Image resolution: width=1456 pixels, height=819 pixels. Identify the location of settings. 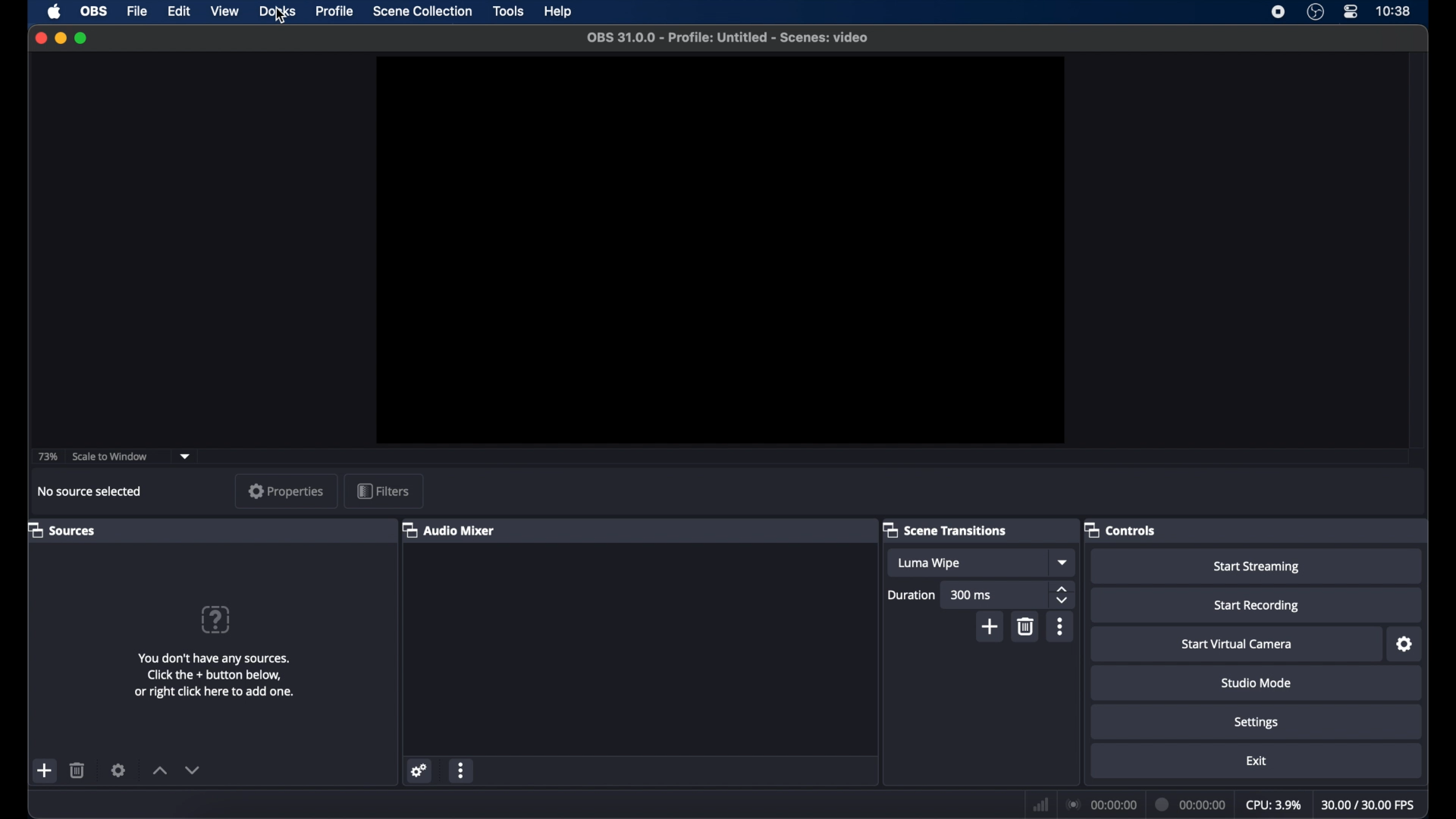
(1256, 723).